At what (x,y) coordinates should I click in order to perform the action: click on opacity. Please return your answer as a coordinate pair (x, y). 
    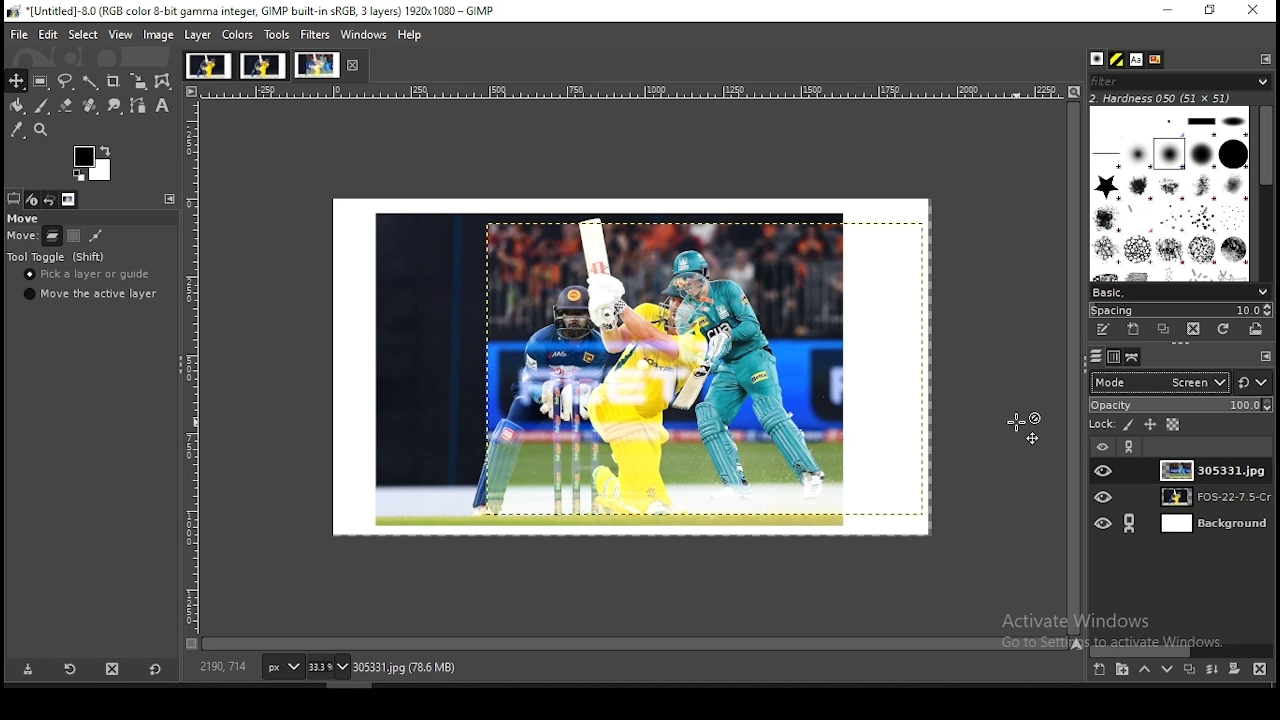
    Looking at the image, I should click on (1181, 405).